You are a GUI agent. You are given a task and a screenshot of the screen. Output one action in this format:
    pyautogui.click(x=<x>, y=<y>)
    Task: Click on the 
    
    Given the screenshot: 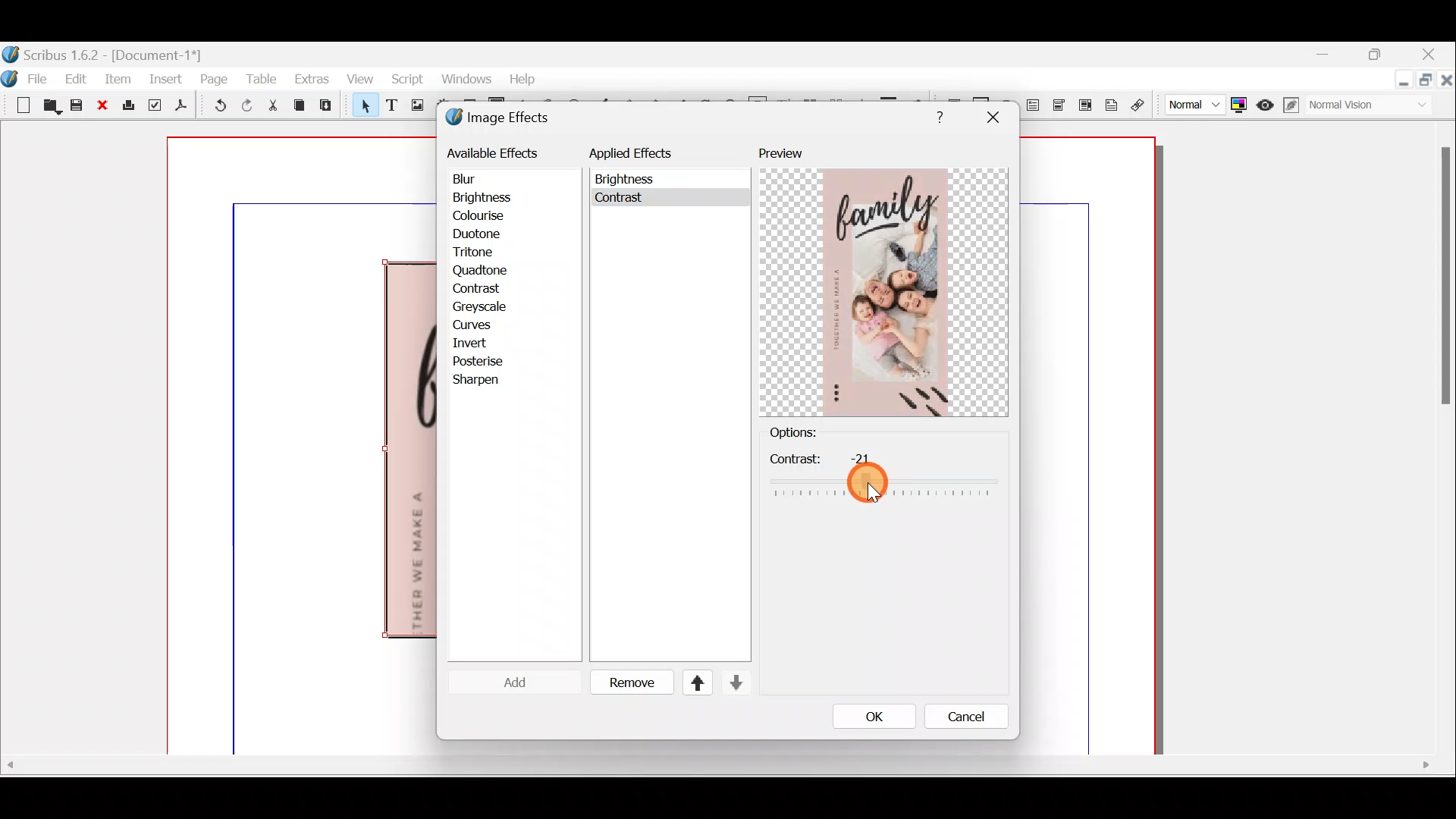 What is the action you would take?
    pyautogui.click(x=622, y=201)
    